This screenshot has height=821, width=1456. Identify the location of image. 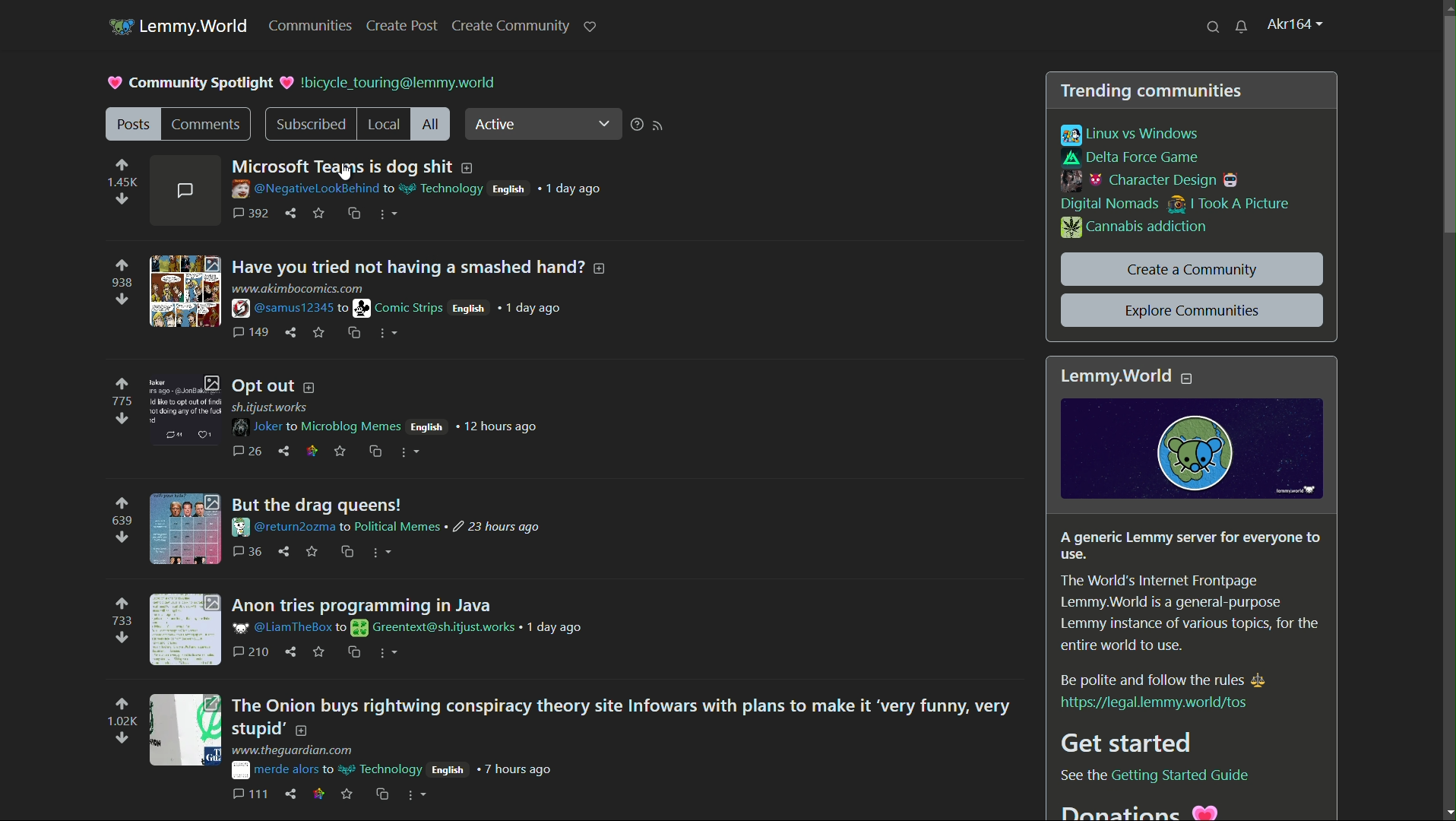
(186, 291).